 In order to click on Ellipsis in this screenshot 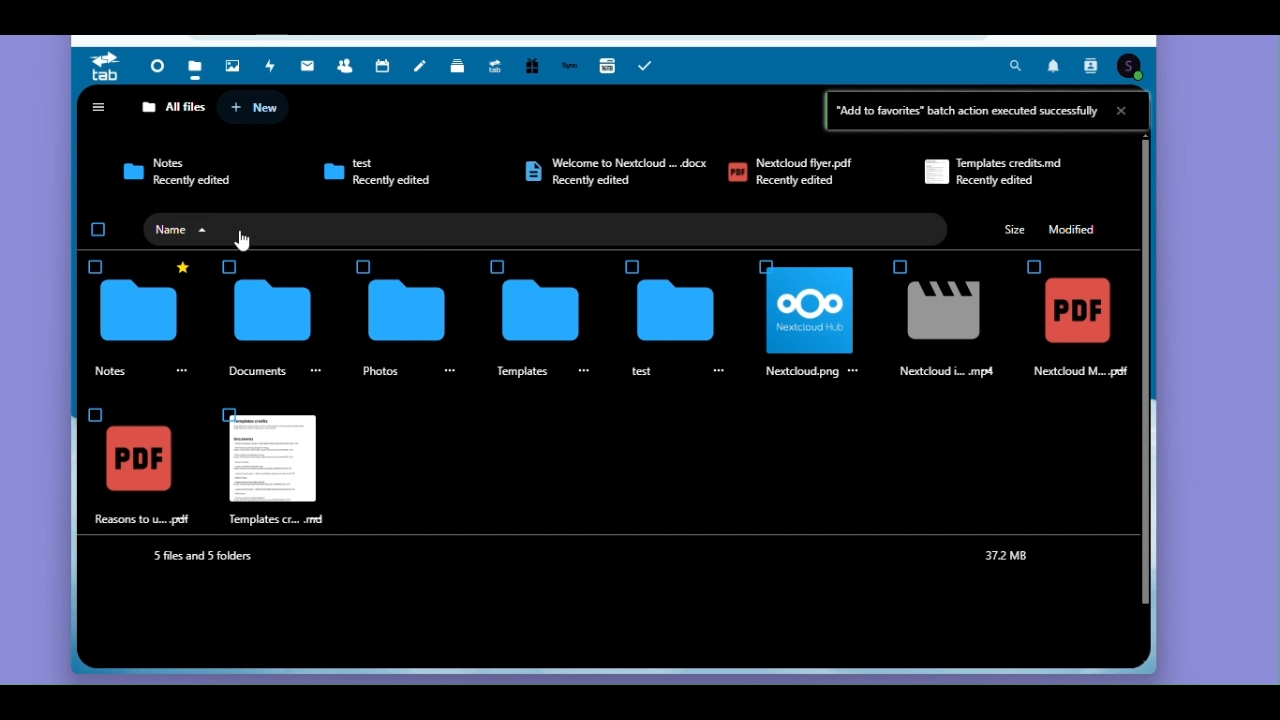, I will do `click(315, 369)`.